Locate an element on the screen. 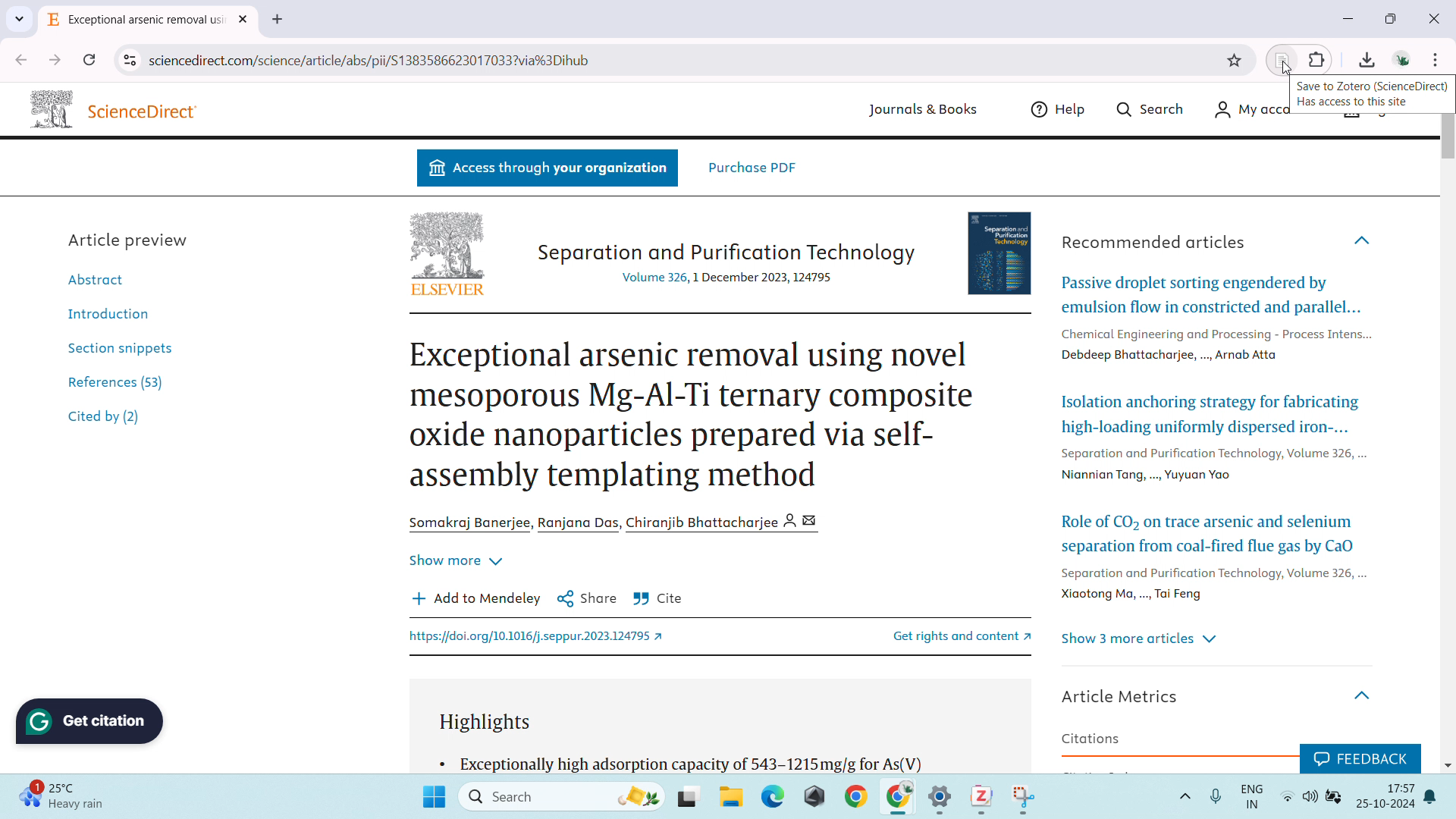 Image resolution: width=1456 pixels, height=819 pixels. Separation and Purification Technology, Volume 326, ...
Xiaotong Ma, ..., Tai Feng is located at coordinates (1211, 585).